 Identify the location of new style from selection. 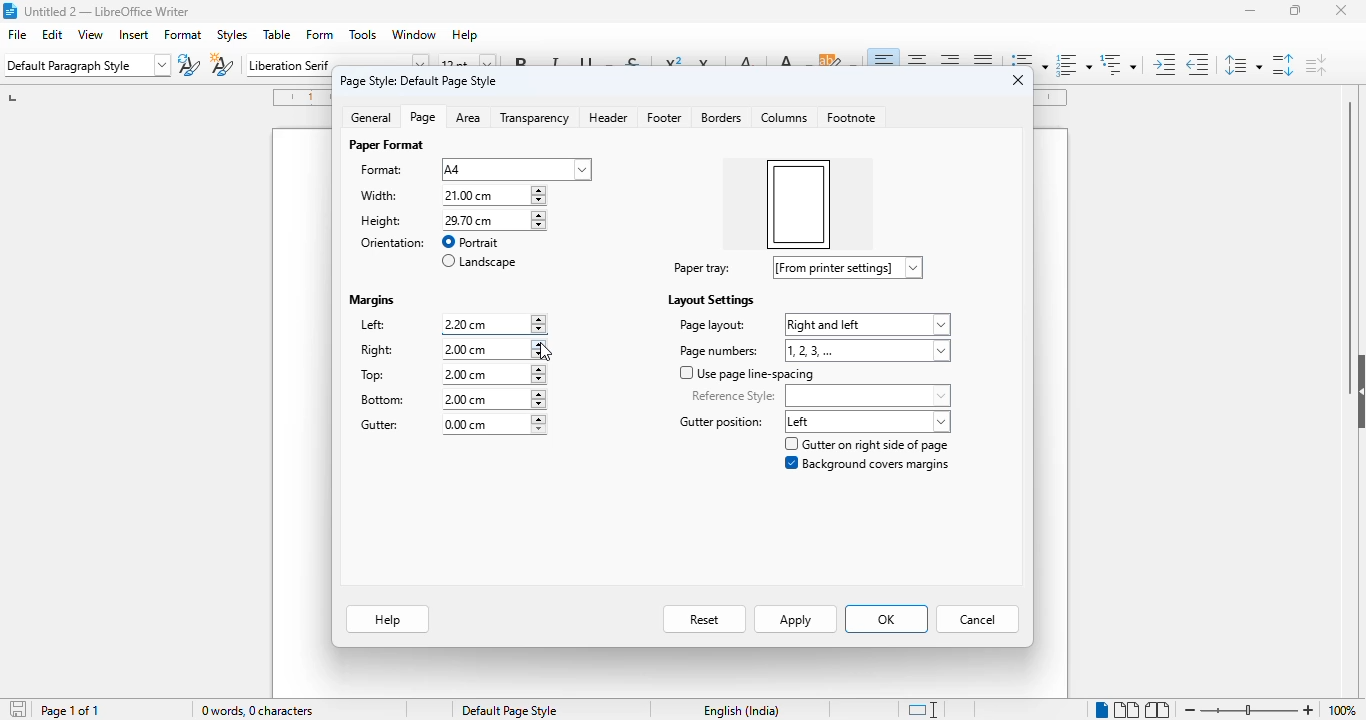
(223, 66).